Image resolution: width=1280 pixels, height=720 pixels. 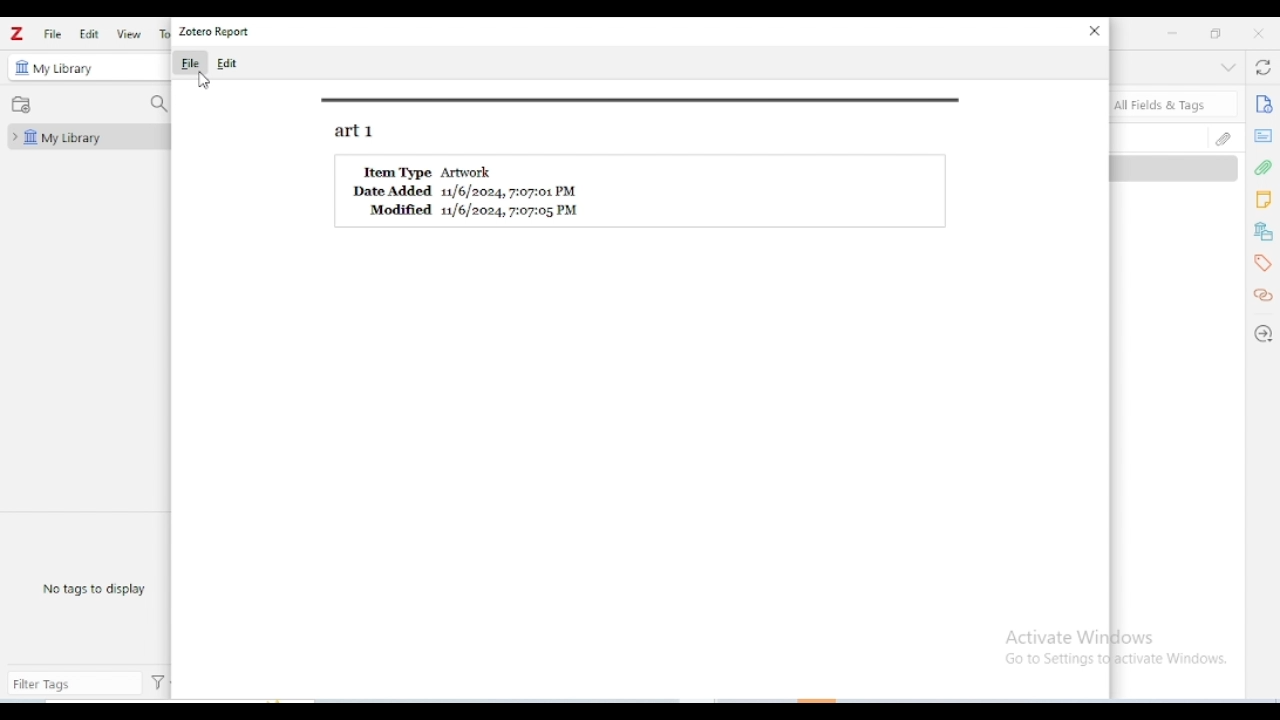 I want to click on abstract, so click(x=1262, y=136).